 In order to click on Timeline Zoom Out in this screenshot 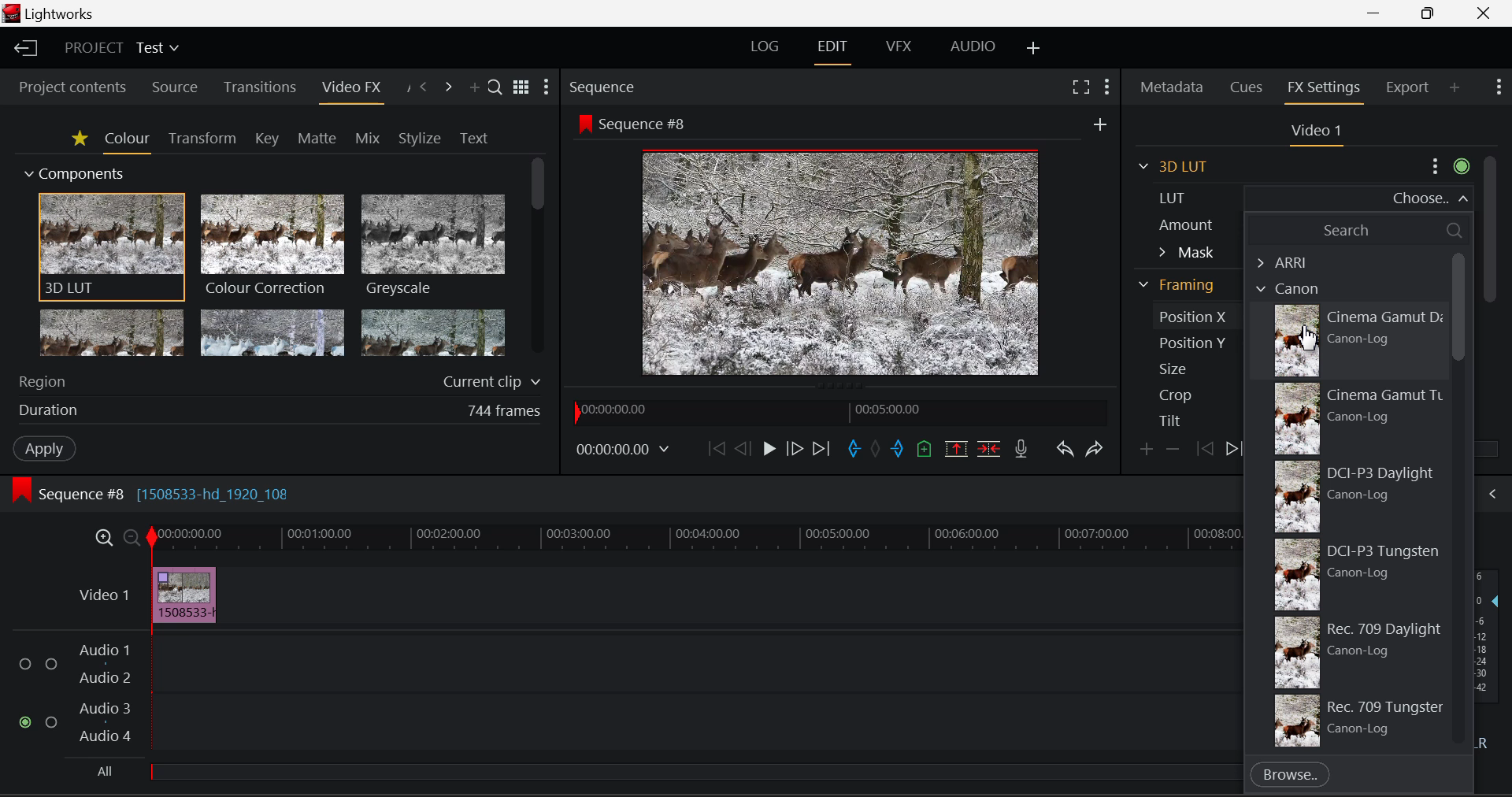, I will do `click(131, 537)`.